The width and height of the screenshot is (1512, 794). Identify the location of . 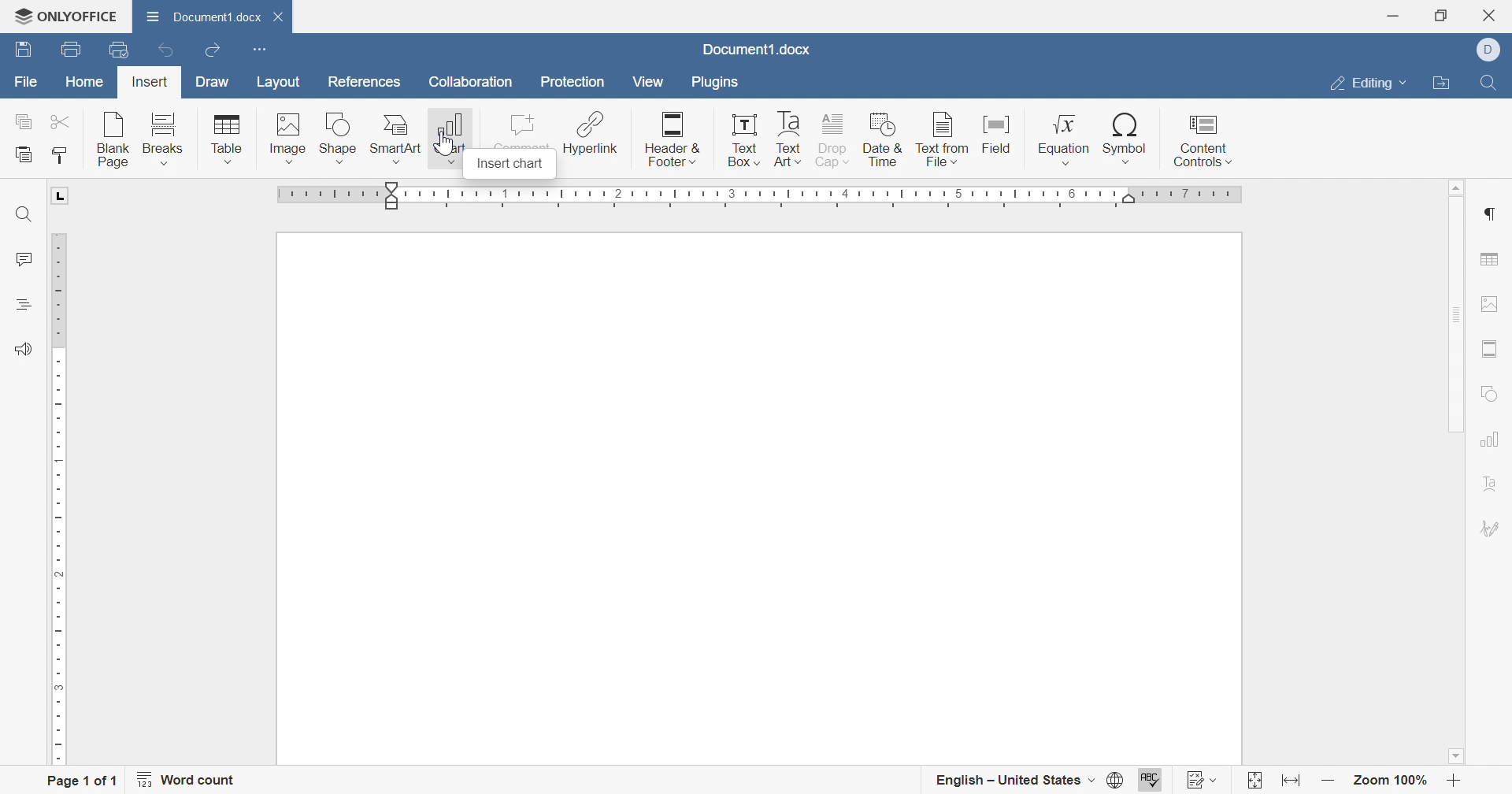
(600, 132).